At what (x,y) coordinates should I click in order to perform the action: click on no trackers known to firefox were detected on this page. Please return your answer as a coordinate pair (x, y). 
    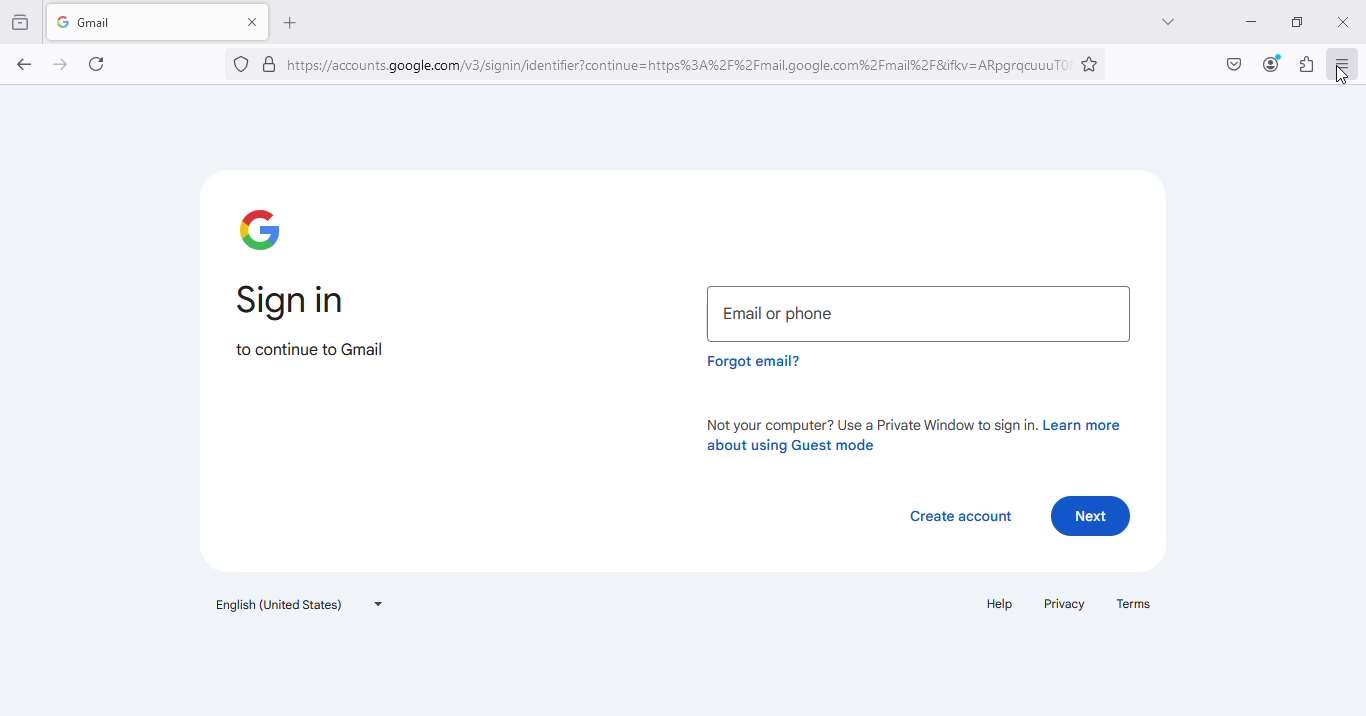
    Looking at the image, I should click on (242, 64).